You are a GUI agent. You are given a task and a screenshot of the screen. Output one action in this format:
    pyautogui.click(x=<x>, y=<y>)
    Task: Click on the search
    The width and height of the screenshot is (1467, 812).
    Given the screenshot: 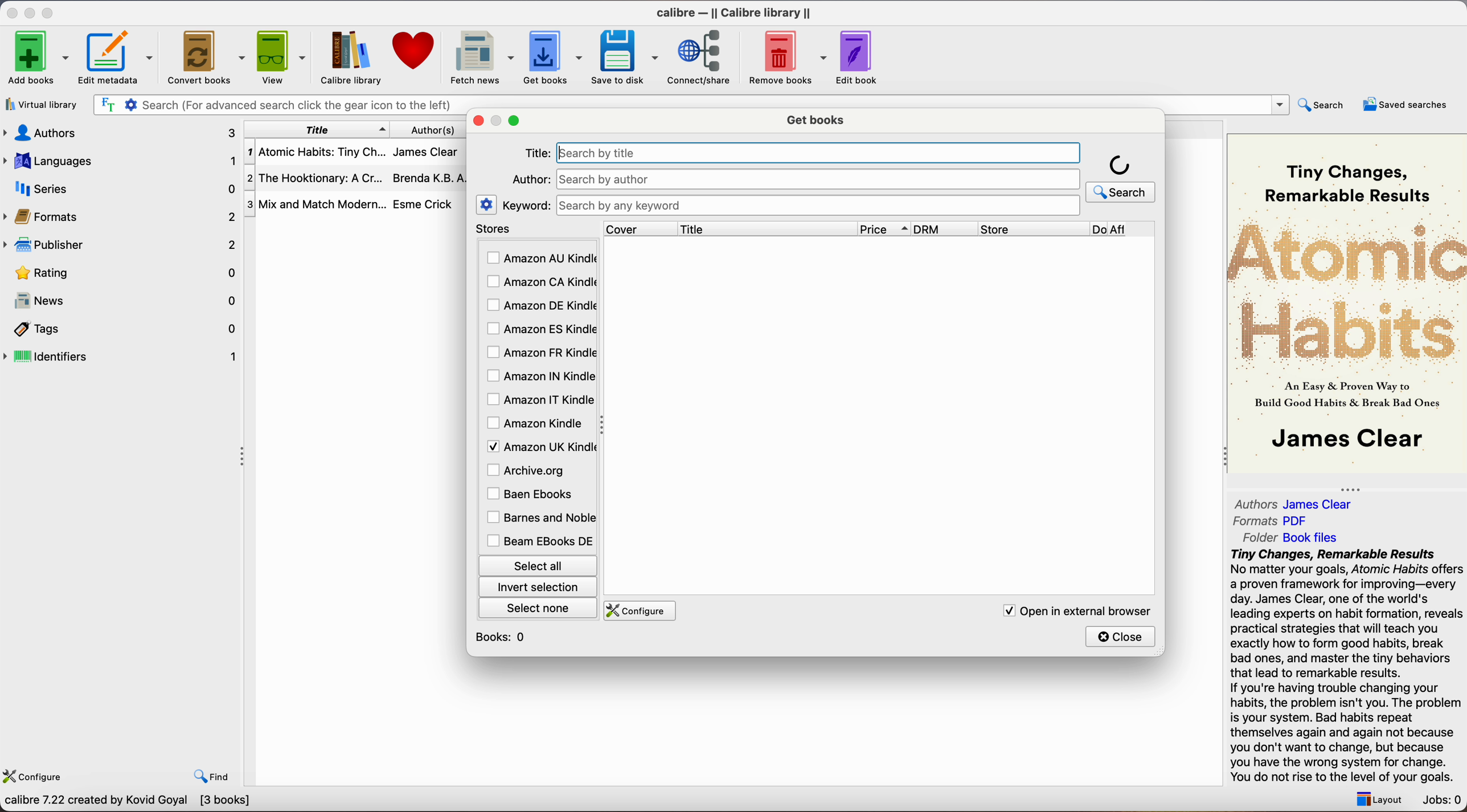 What is the action you would take?
    pyautogui.click(x=1121, y=177)
    